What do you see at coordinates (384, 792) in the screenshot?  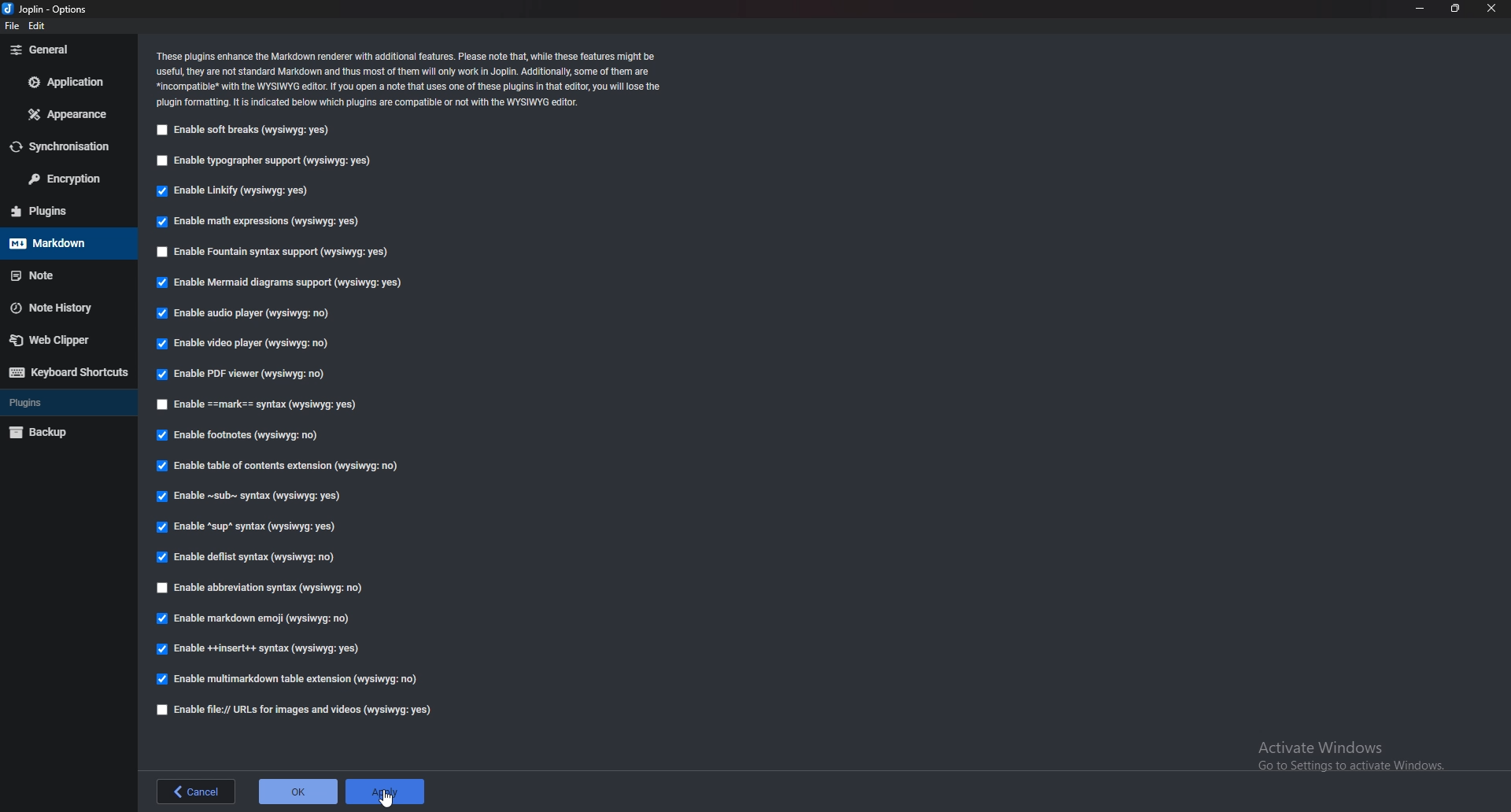 I see `apply` at bounding box center [384, 792].